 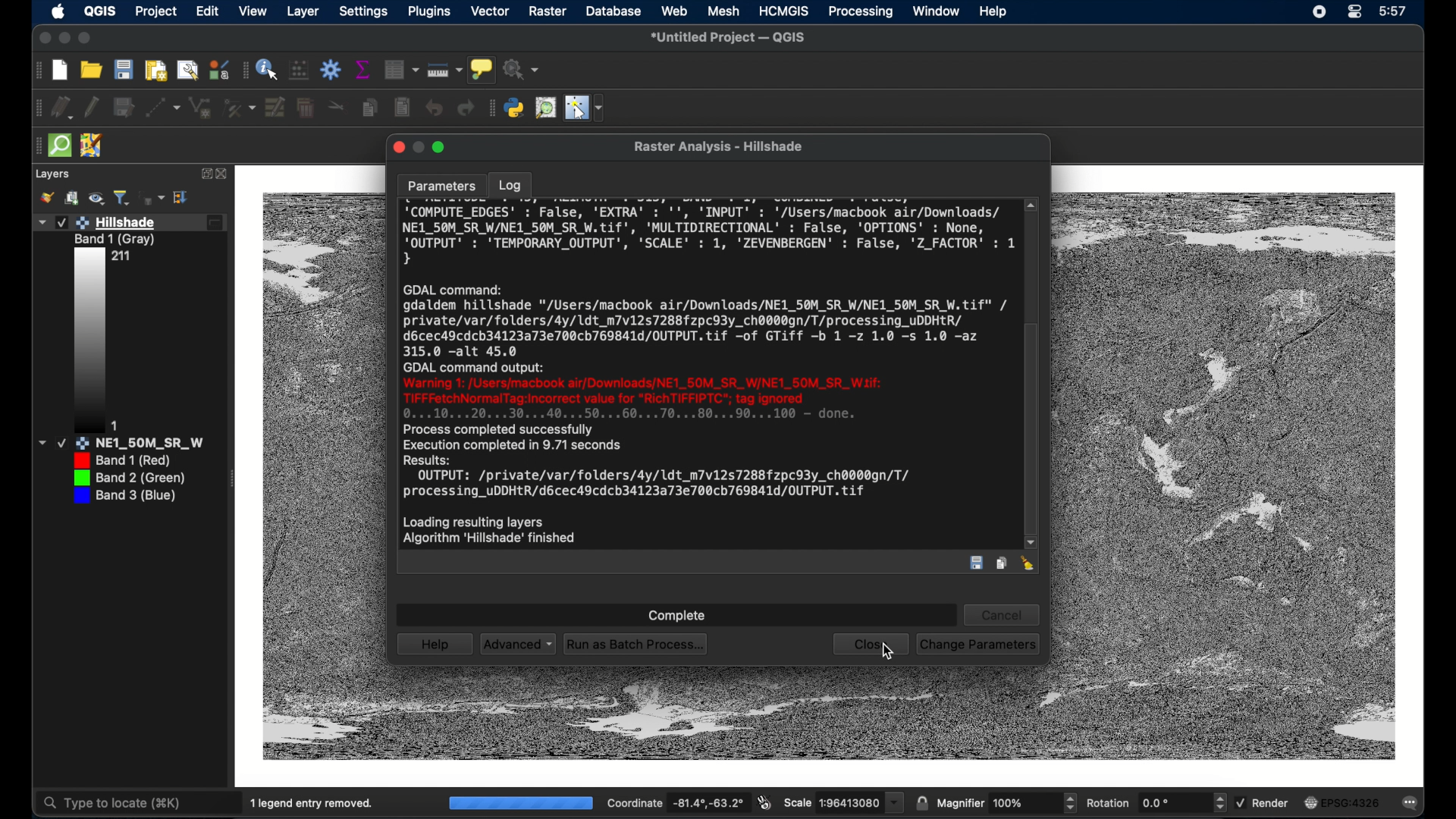 I want to click on vector, so click(x=489, y=11).